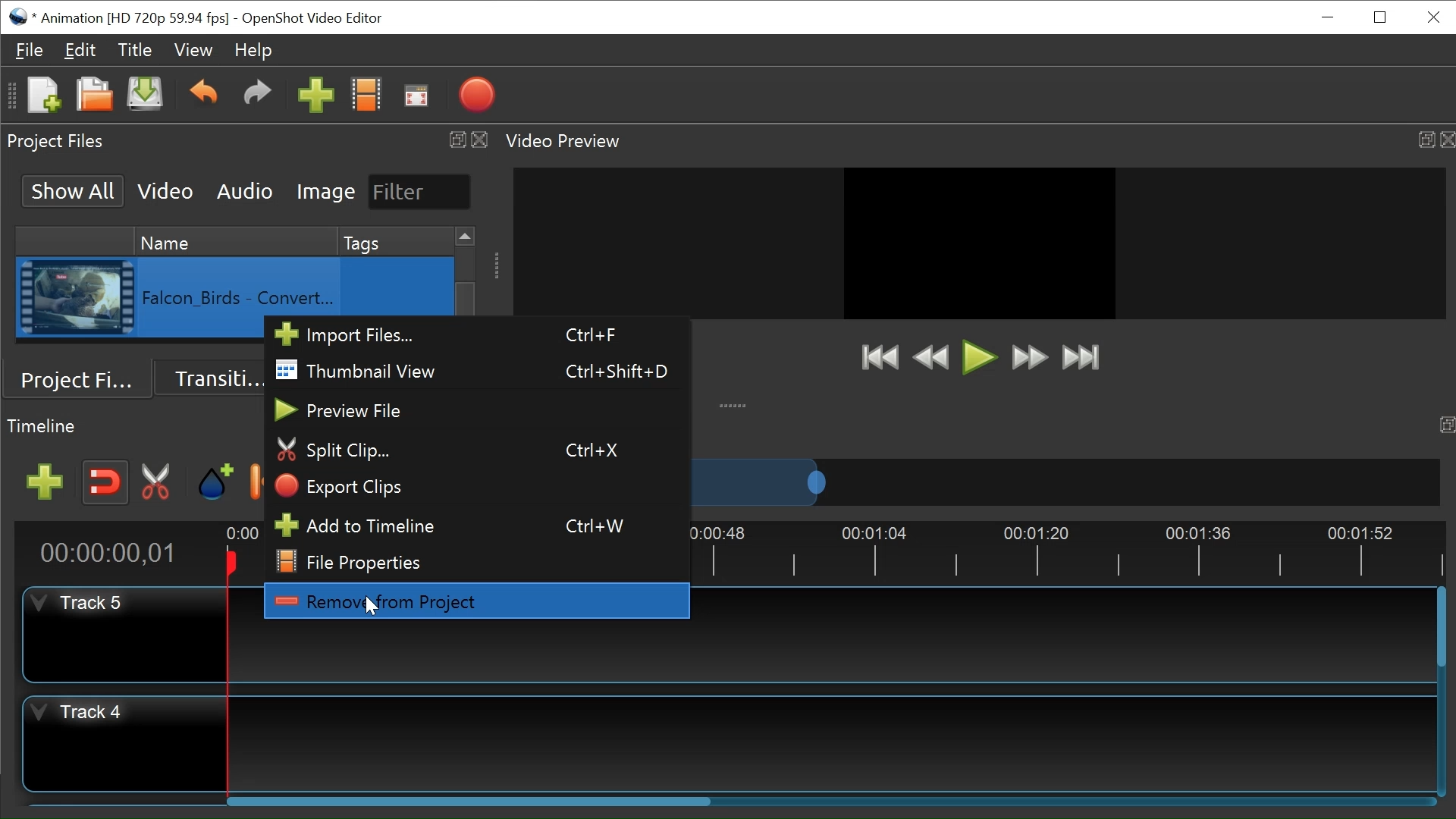 The width and height of the screenshot is (1456, 819). What do you see at coordinates (312, 19) in the screenshot?
I see `OpenShot Video Editor` at bounding box center [312, 19].